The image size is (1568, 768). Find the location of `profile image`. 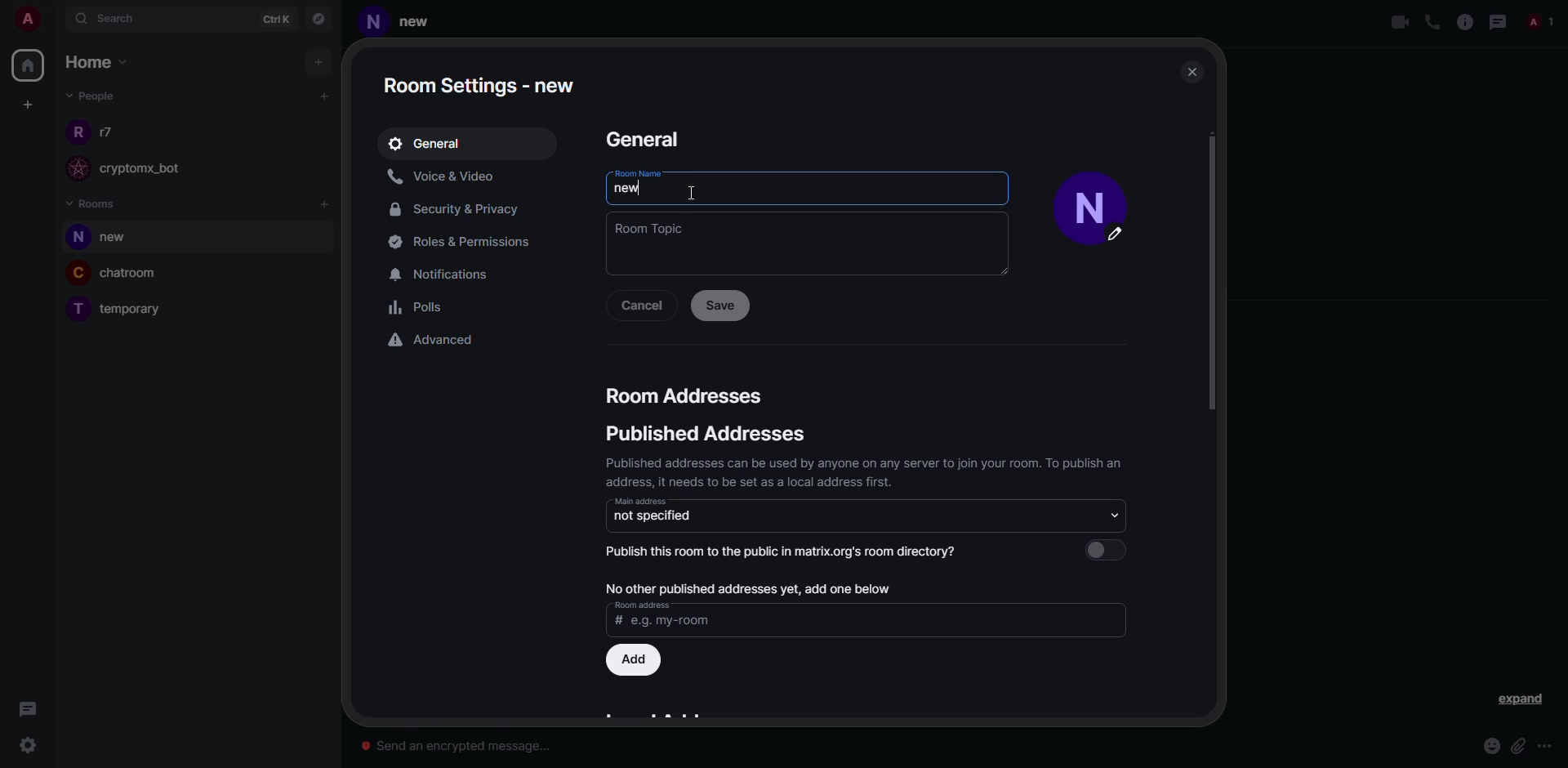

profile image is located at coordinates (74, 311).